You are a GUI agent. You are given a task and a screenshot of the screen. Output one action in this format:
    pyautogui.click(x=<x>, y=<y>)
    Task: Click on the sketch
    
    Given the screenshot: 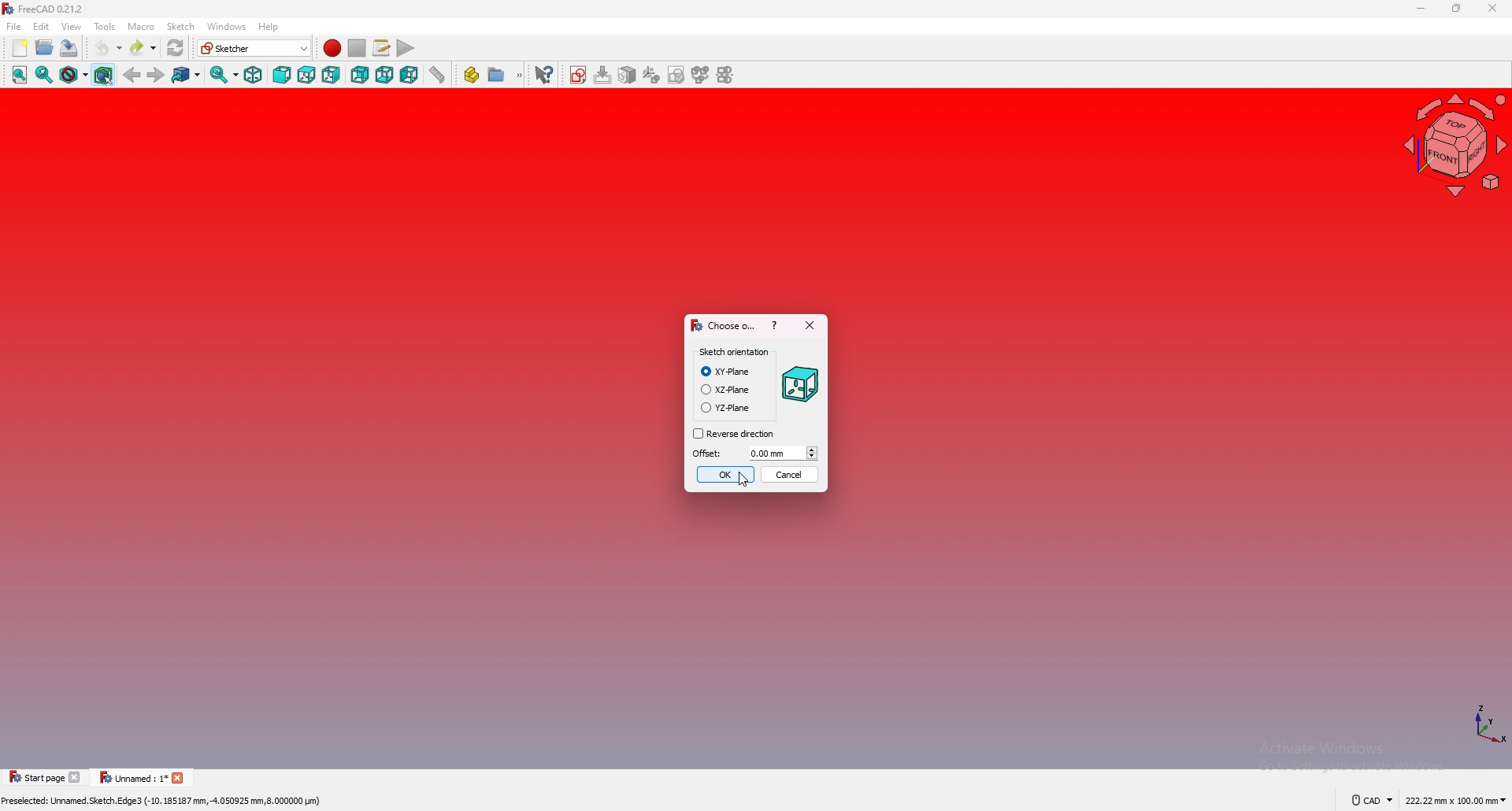 What is the action you would take?
    pyautogui.click(x=180, y=26)
    